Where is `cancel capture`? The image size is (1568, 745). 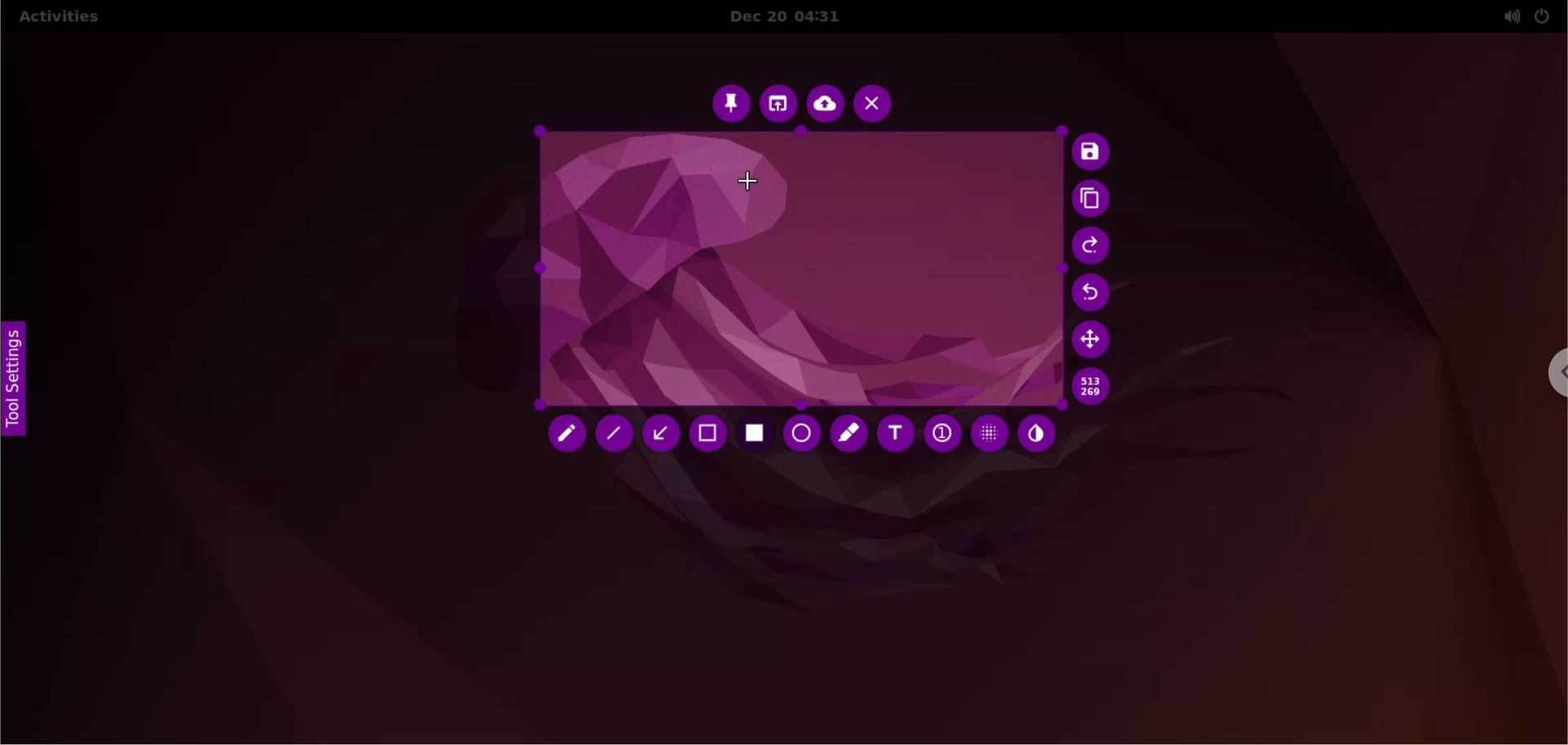
cancel capture is located at coordinates (875, 103).